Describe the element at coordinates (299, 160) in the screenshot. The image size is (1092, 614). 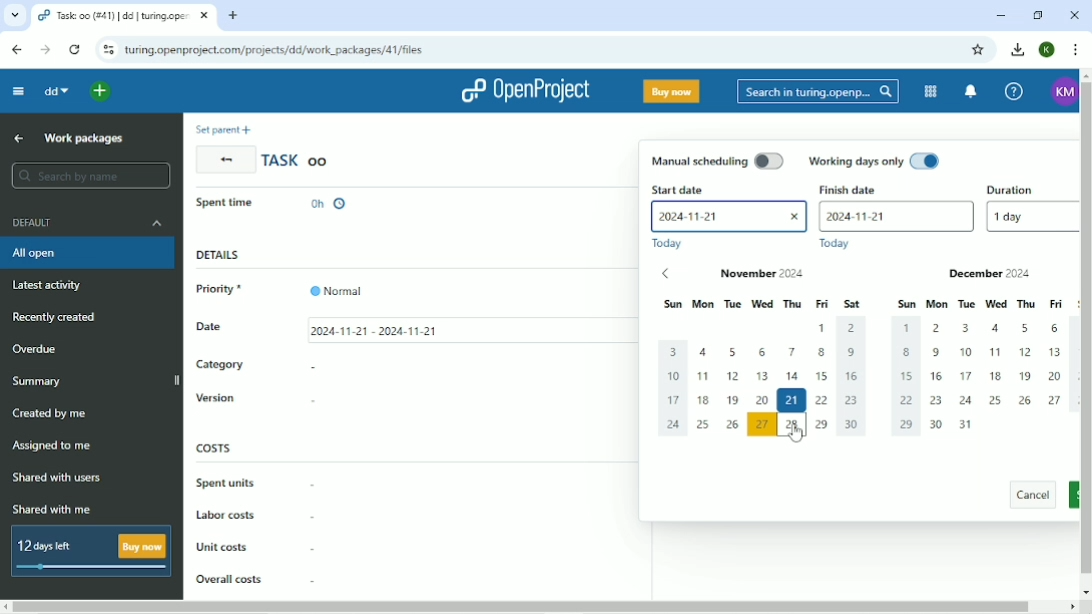
I see `Task oo` at that location.